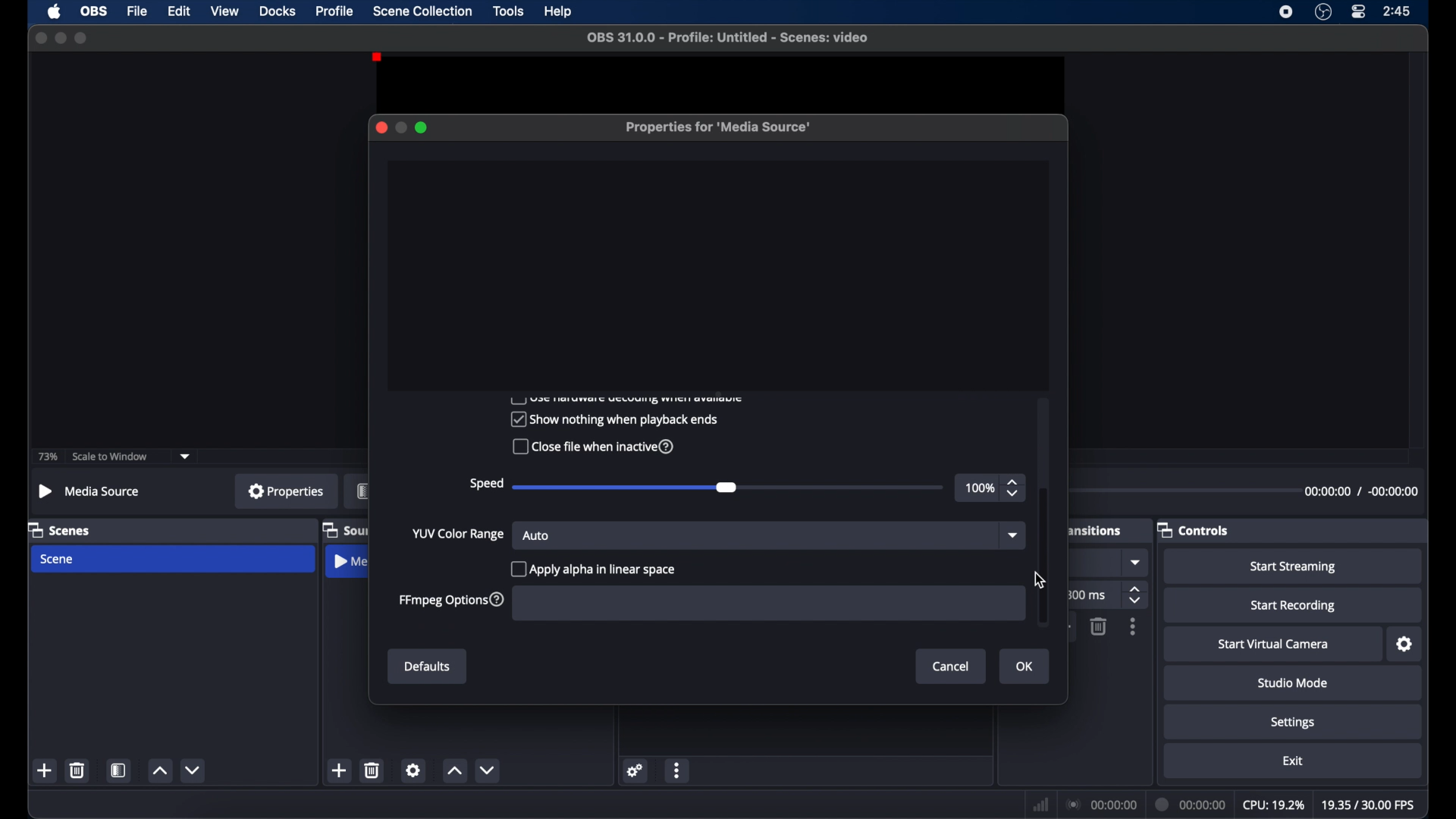  I want to click on 100%, so click(978, 488).